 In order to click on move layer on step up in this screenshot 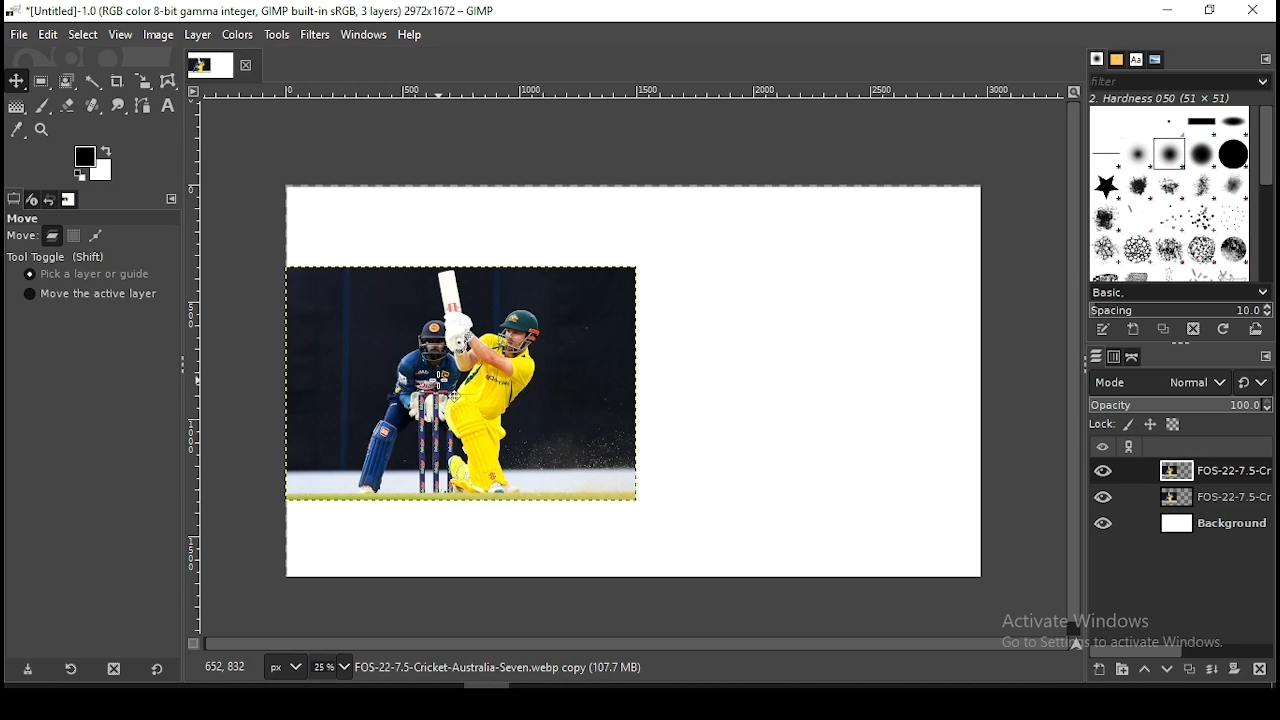, I will do `click(1144, 671)`.